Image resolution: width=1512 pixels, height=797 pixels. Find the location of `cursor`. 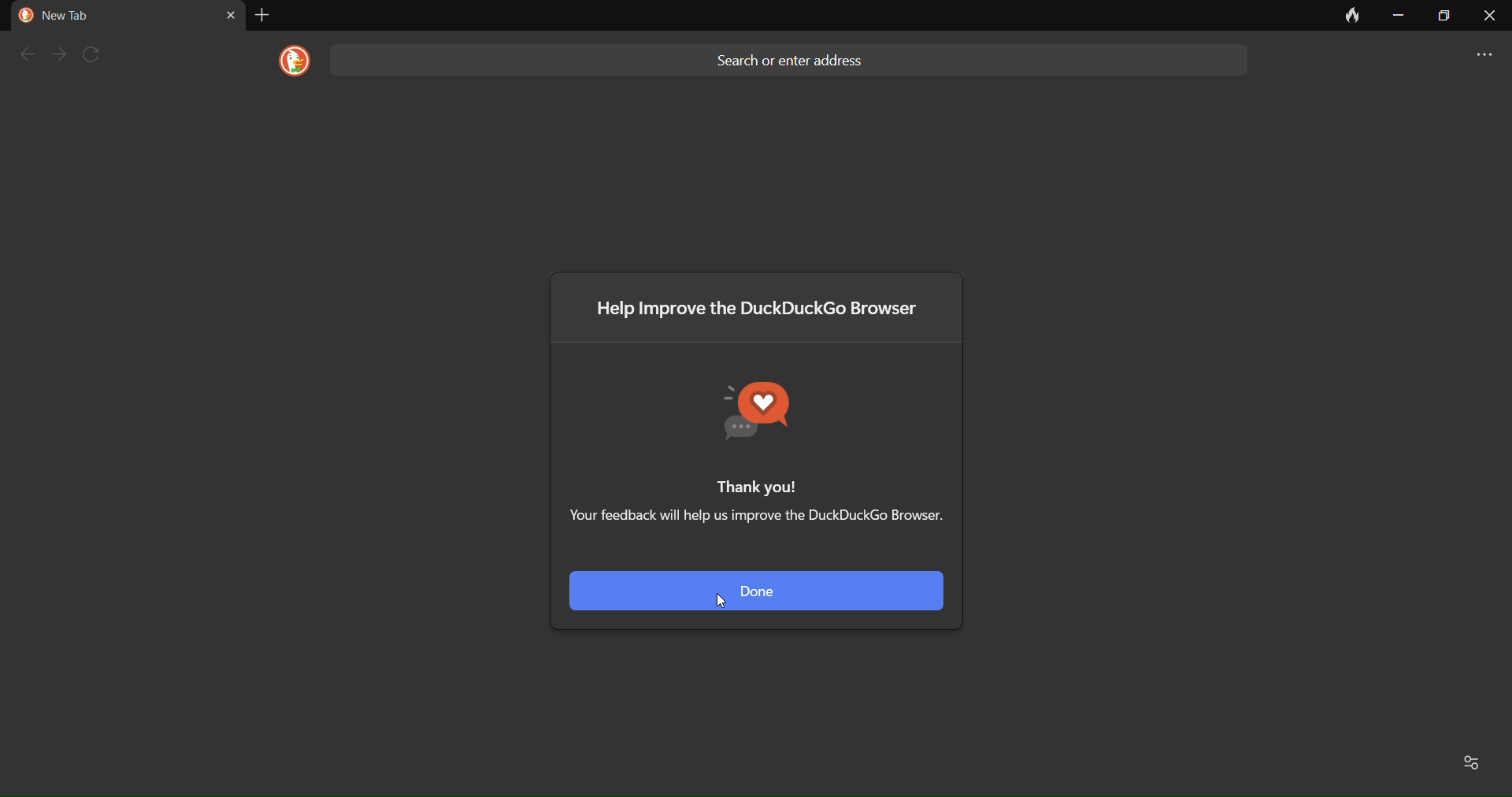

cursor is located at coordinates (715, 599).